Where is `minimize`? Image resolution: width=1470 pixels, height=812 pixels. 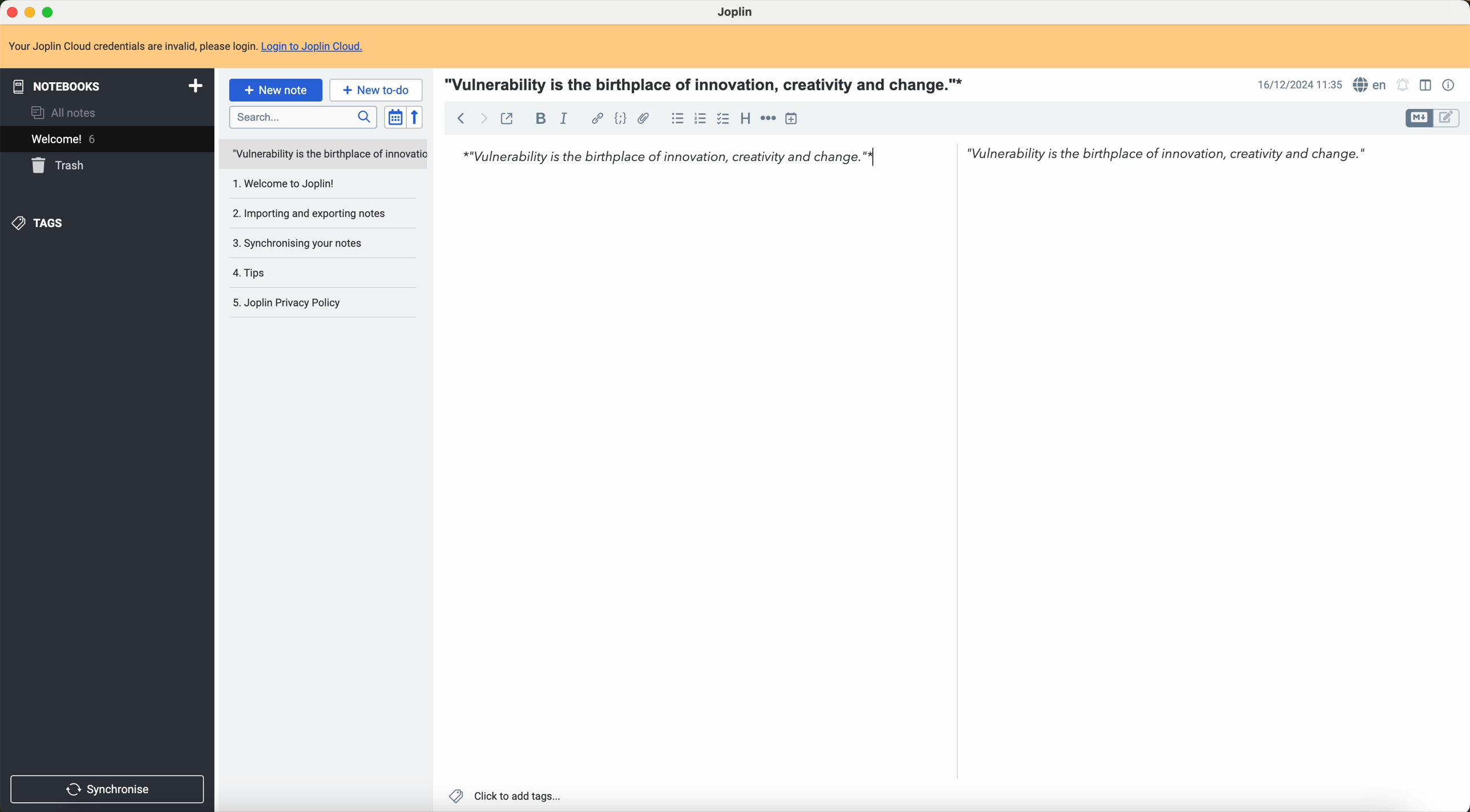 minimize is located at coordinates (30, 12).